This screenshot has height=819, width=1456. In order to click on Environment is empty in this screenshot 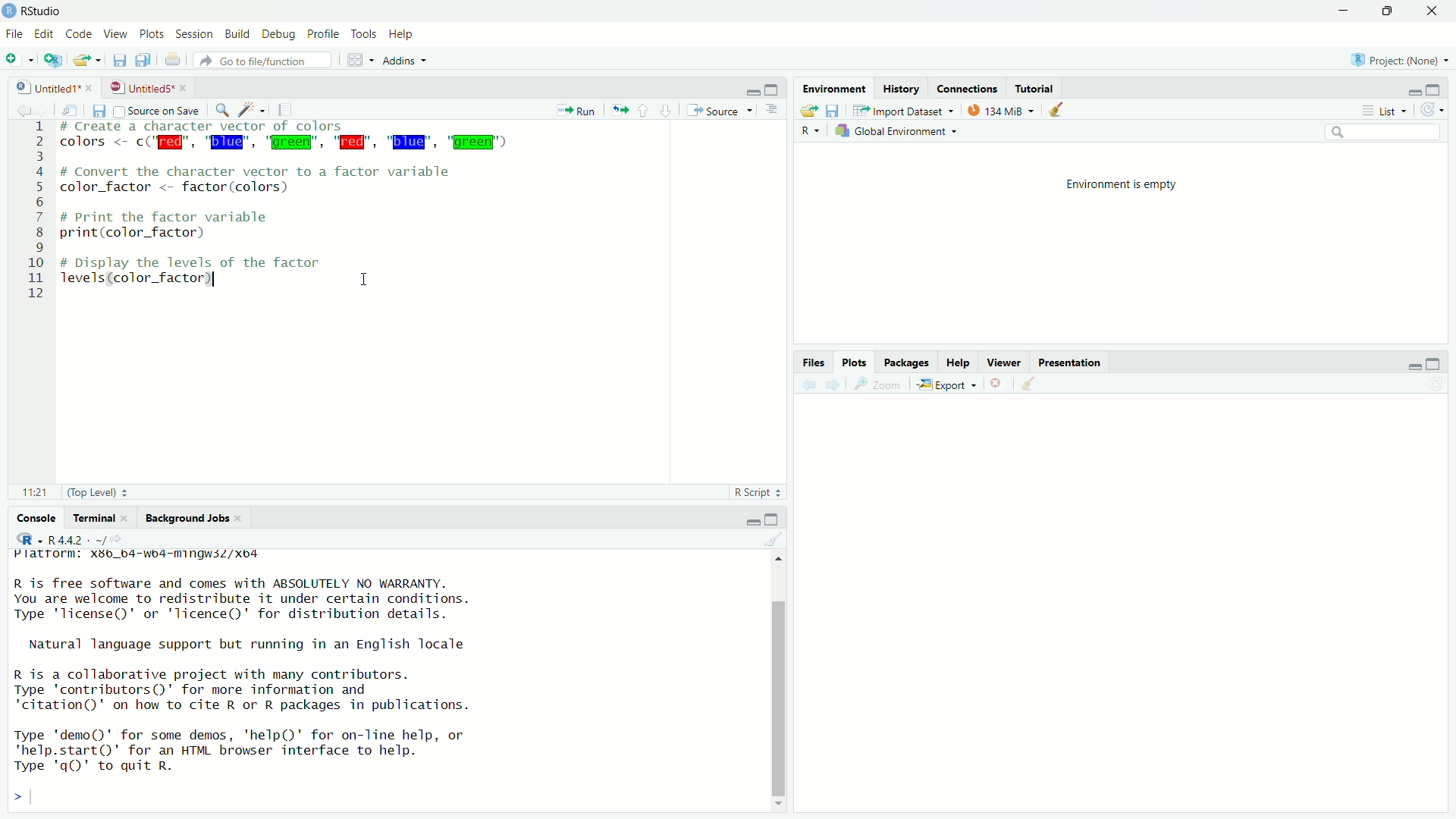, I will do `click(1122, 183)`.